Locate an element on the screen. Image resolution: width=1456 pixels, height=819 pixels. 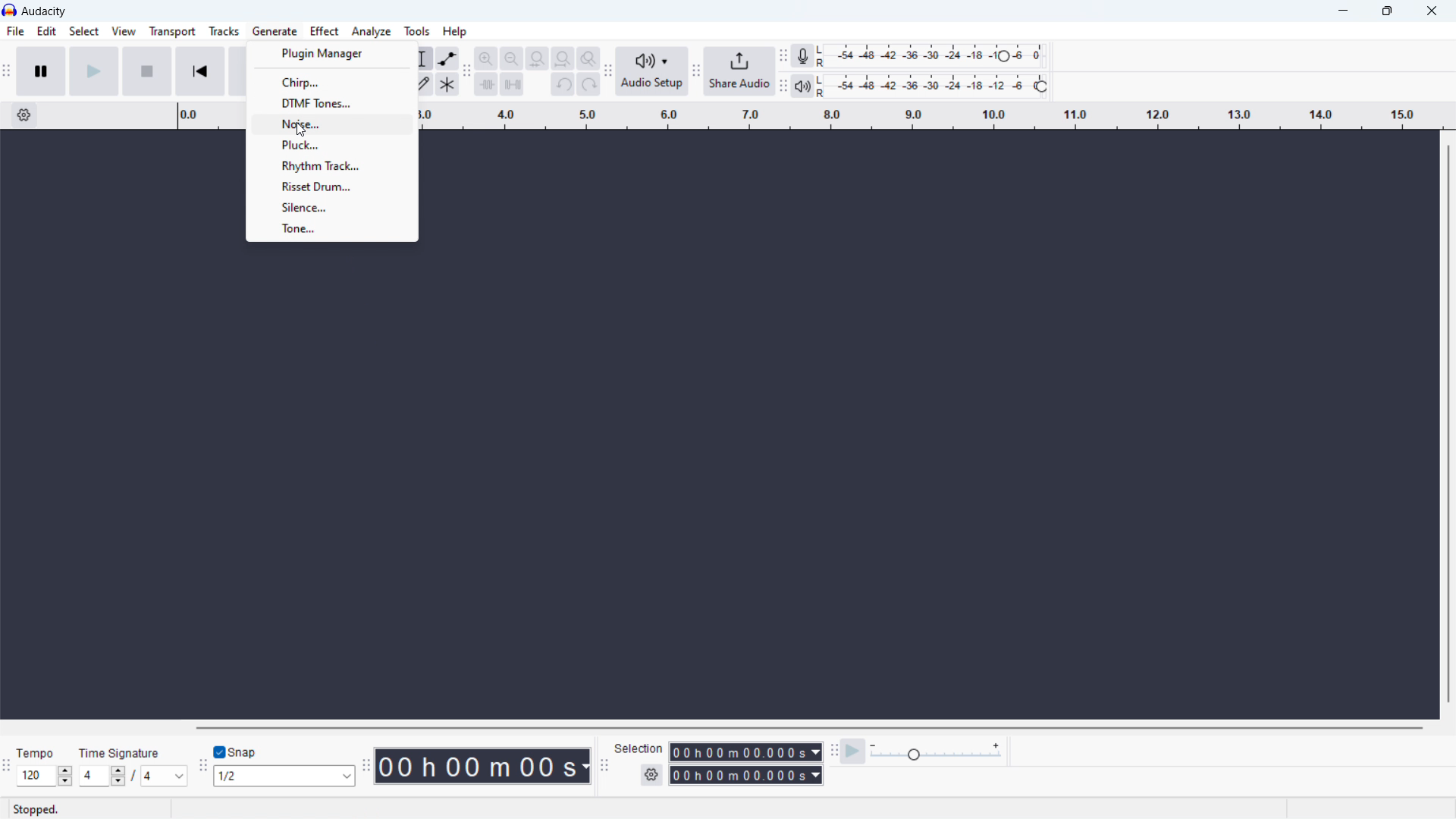
plugin manager is located at coordinates (331, 54).